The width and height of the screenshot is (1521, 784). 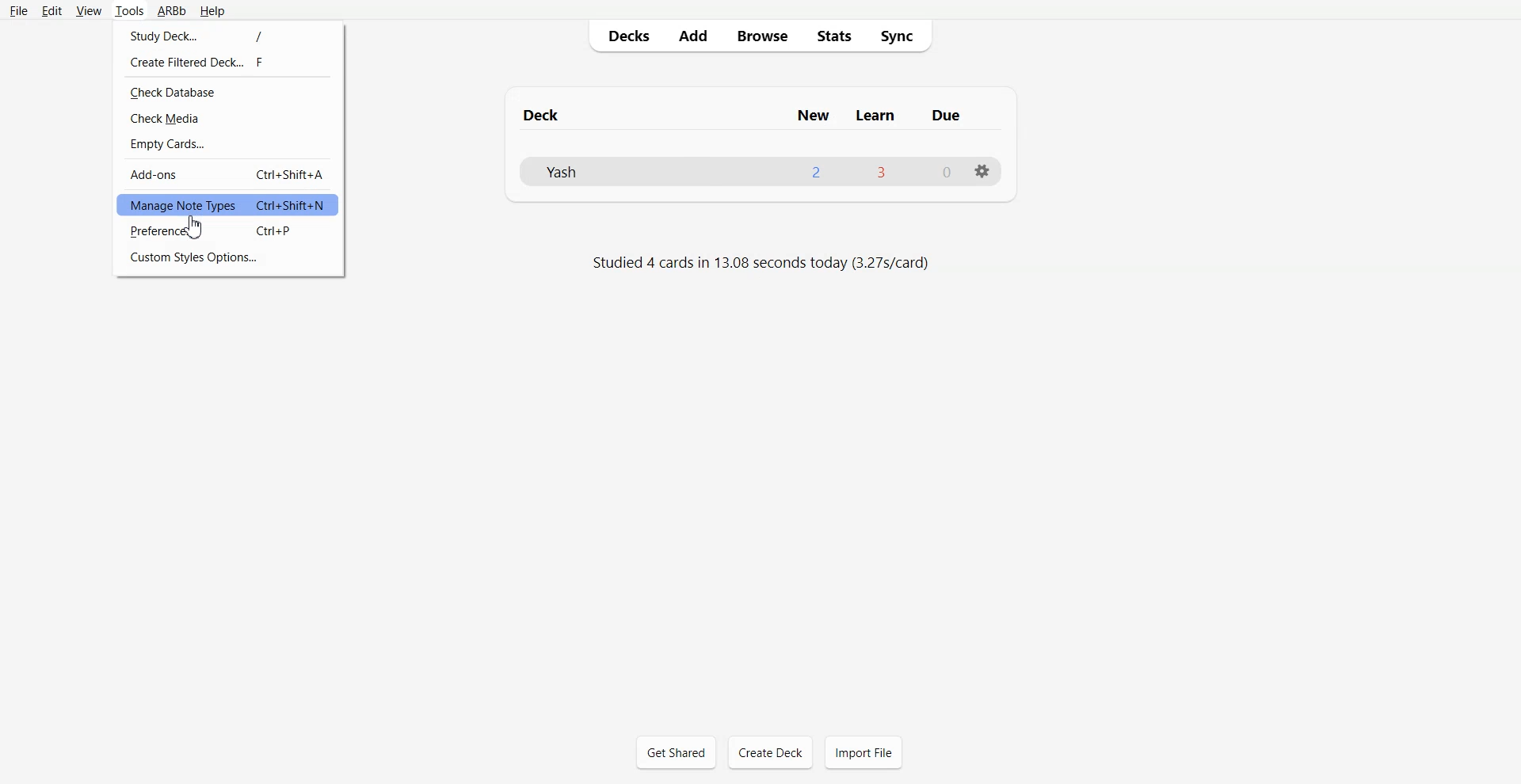 I want to click on Studied 4 cards in 13.08 seconds today (3.27s/card), so click(x=764, y=264).